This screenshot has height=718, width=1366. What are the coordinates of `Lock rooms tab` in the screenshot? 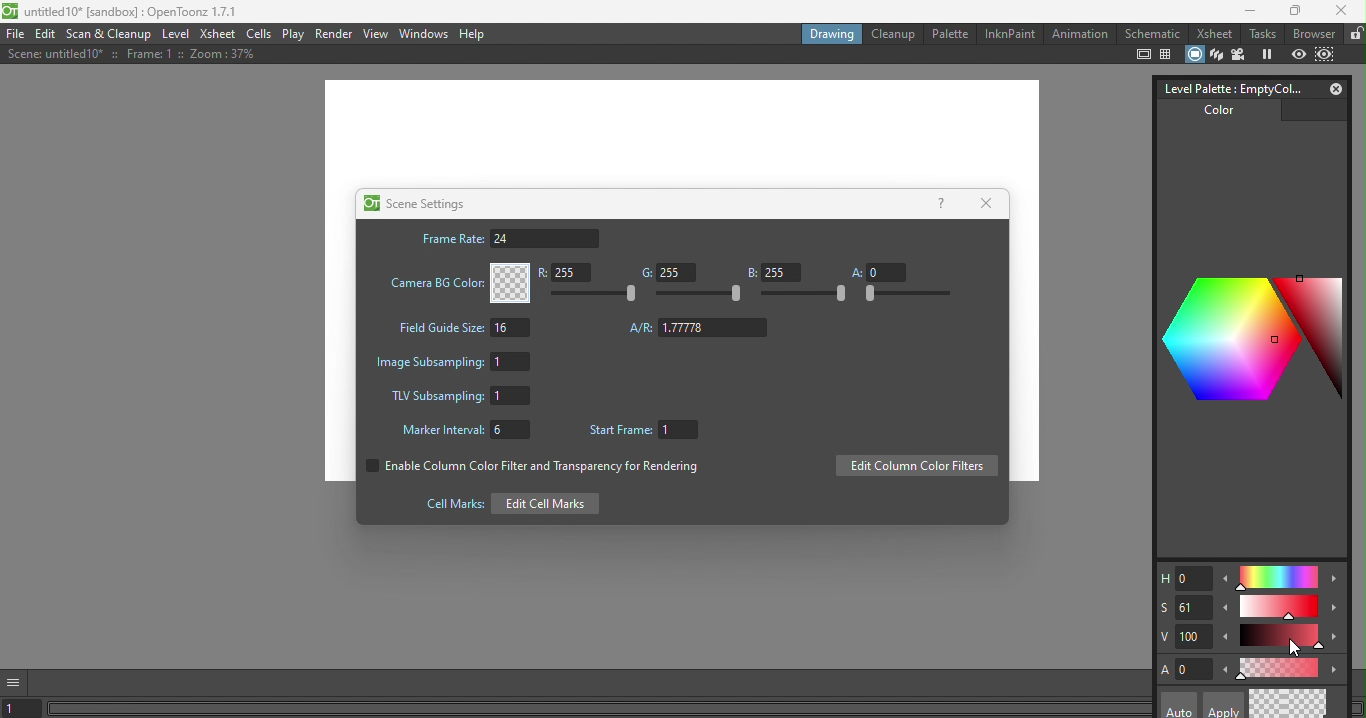 It's located at (1354, 34).